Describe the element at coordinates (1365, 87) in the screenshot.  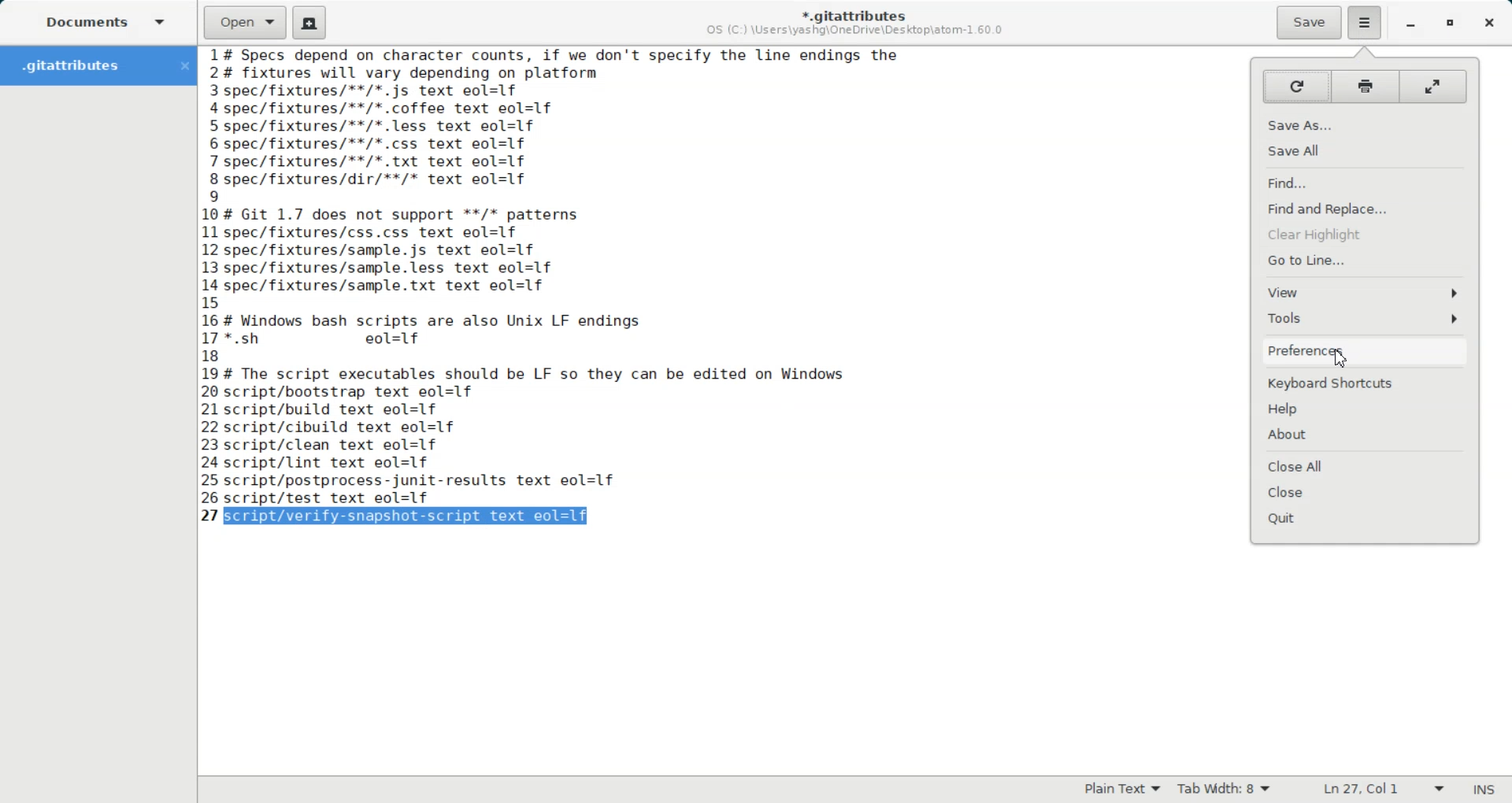
I see `Print` at that location.